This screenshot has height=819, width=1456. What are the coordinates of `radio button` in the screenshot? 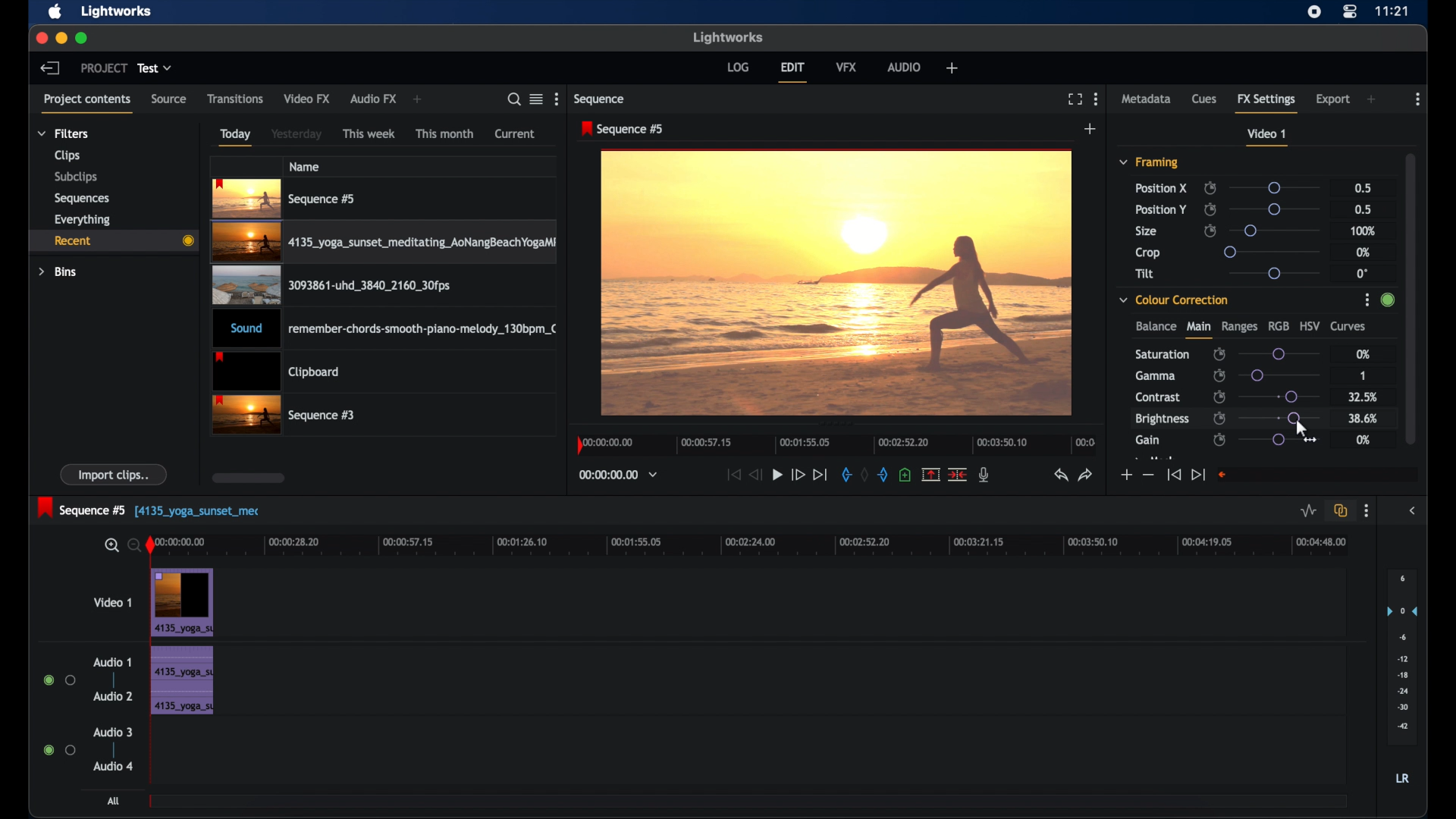 It's located at (59, 680).